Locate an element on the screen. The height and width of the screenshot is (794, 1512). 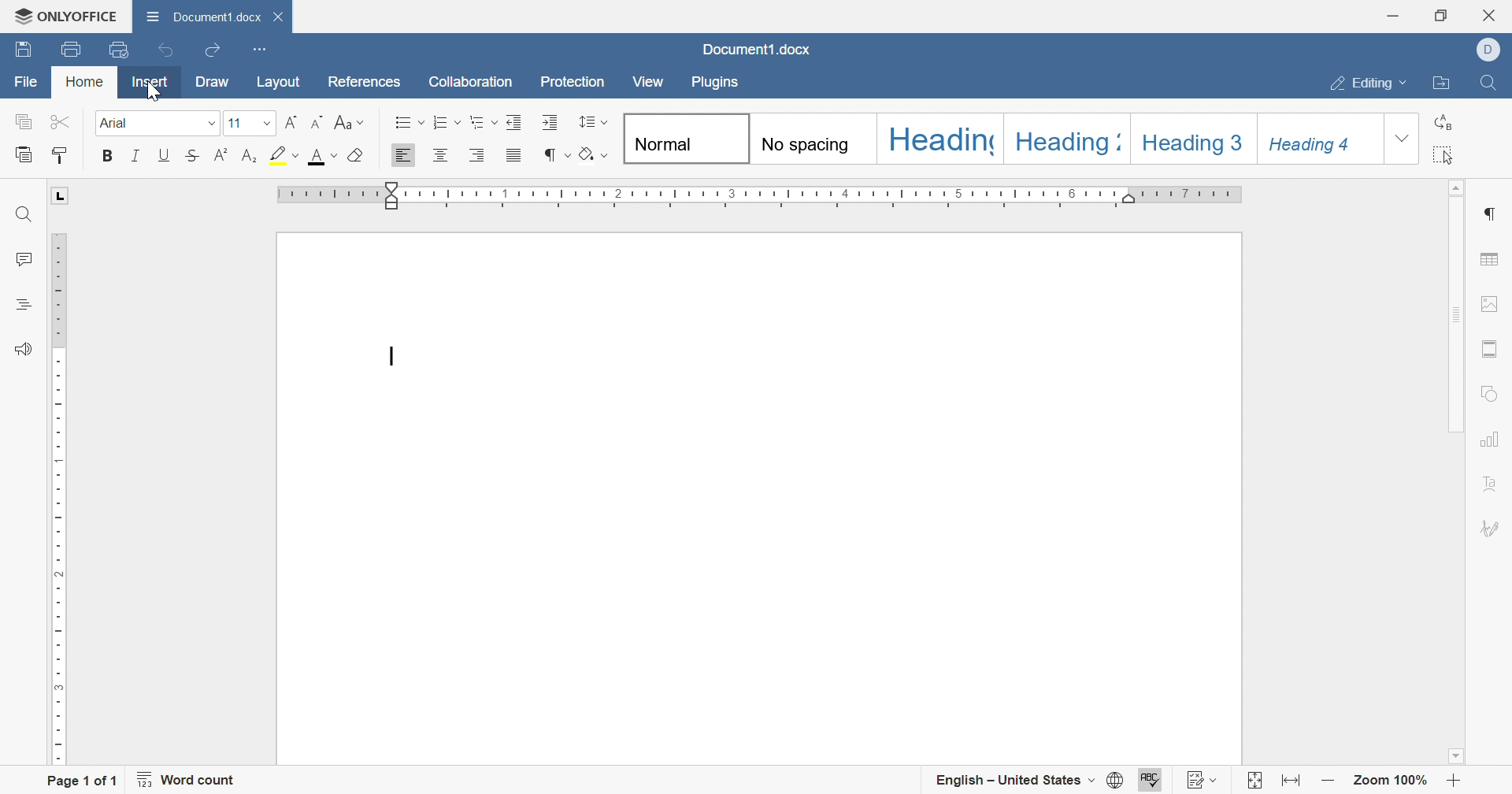
Redo is located at coordinates (213, 50).